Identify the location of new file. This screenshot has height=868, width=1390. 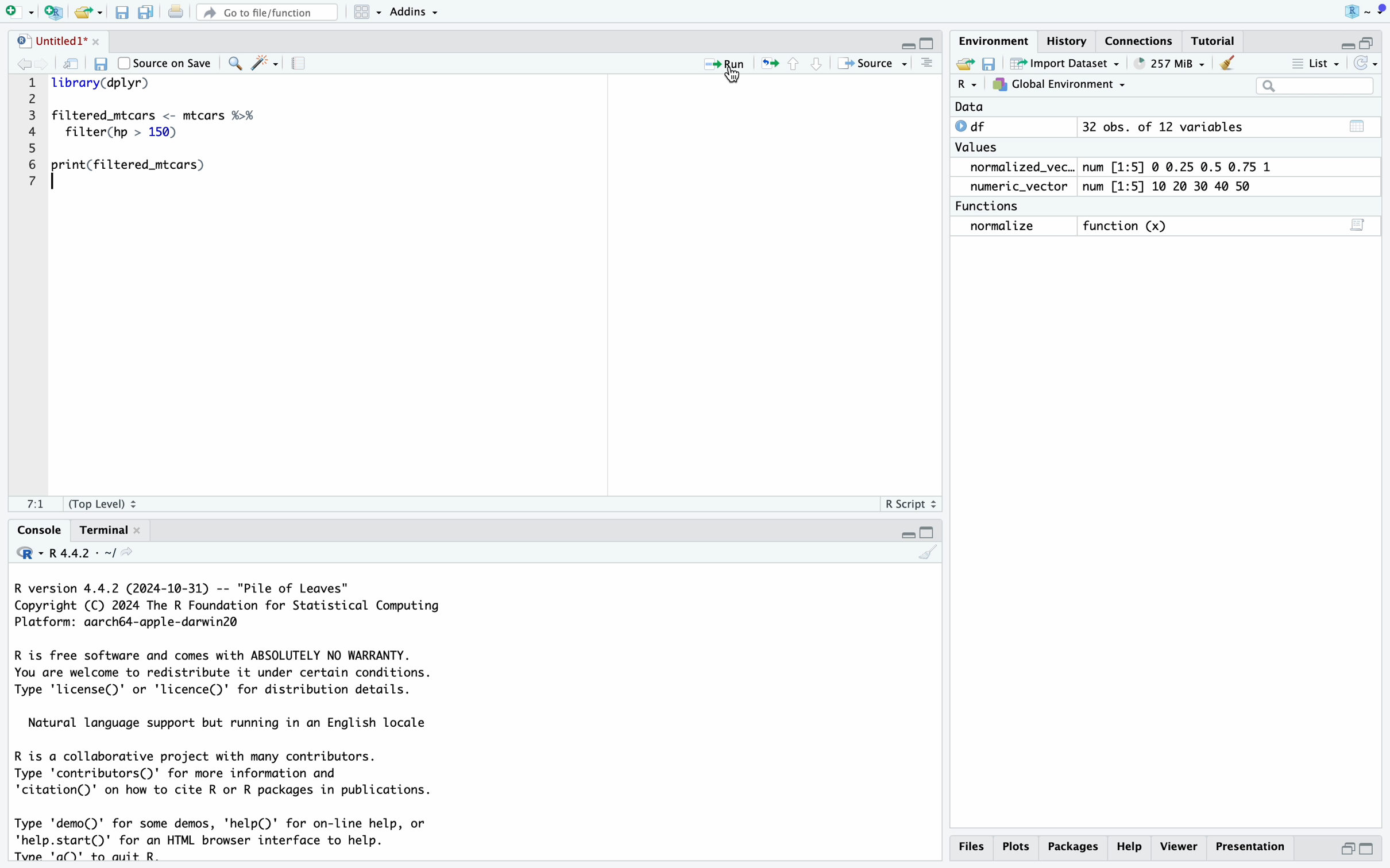
(17, 12).